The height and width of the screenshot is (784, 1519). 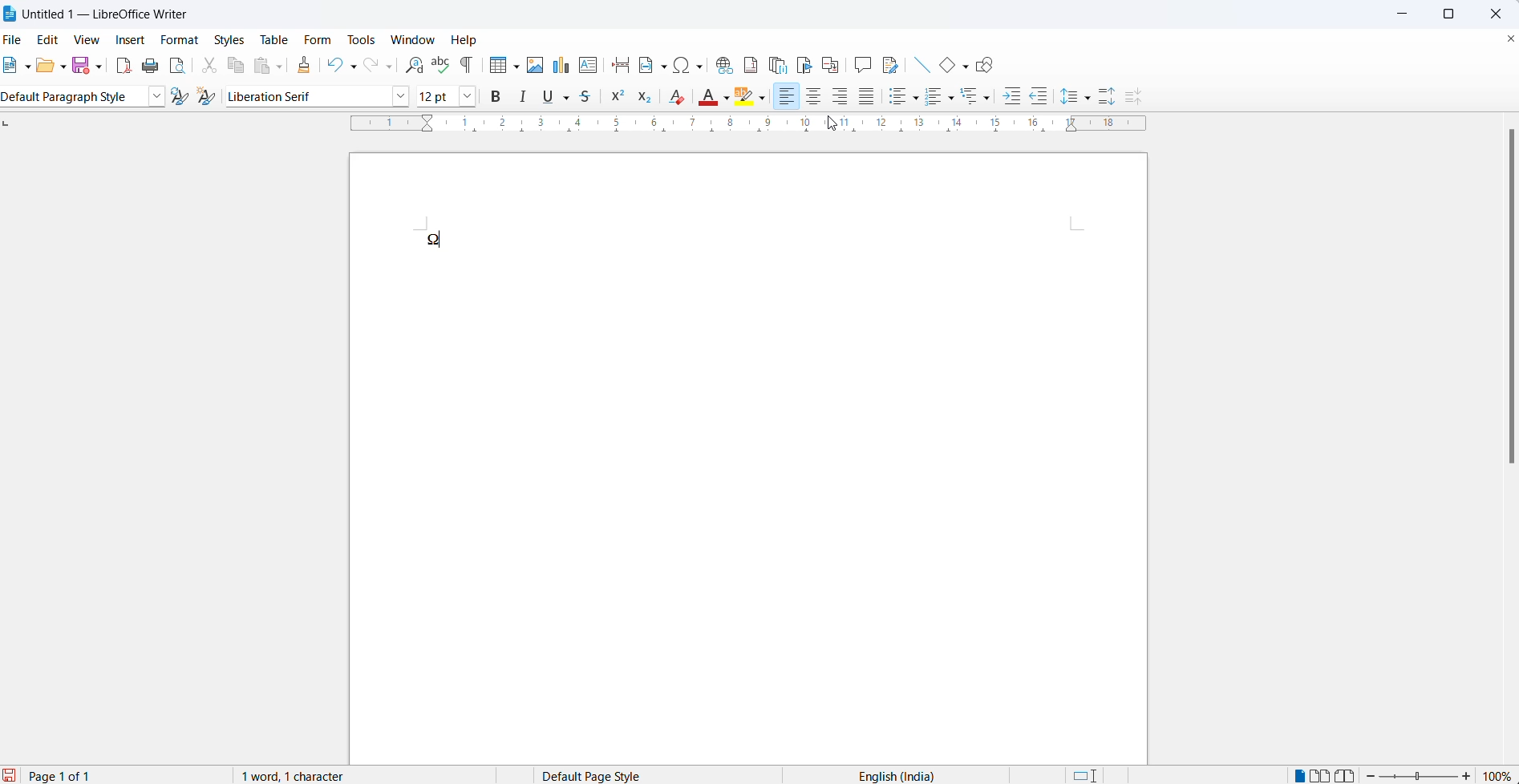 What do you see at coordinates (934, 99) in the screenshot?
I see `toggle ordered list` at bounding box center [934, 99].